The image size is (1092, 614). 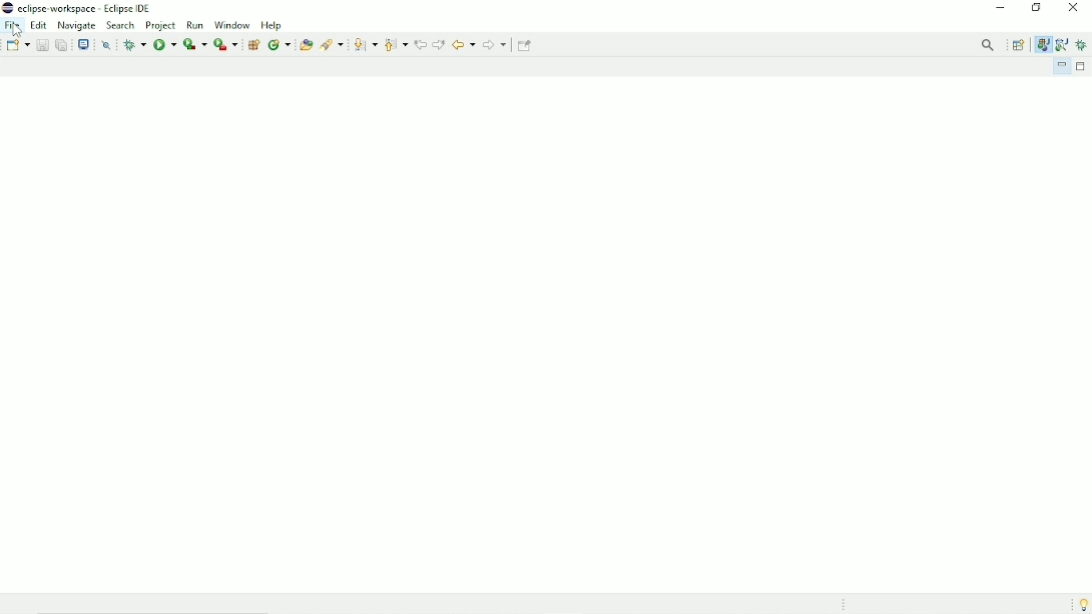 I want to click on Coverage, so click(x=195, y=43).